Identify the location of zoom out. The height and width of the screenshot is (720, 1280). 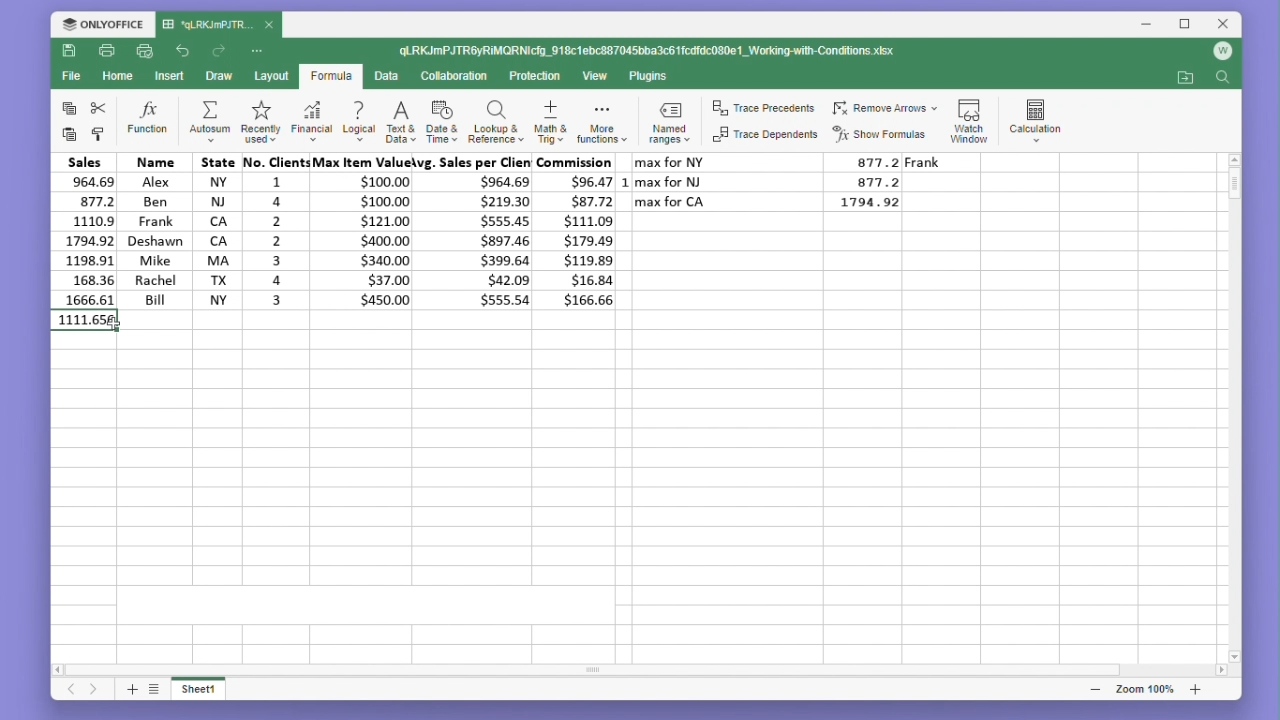
(1097, 690).